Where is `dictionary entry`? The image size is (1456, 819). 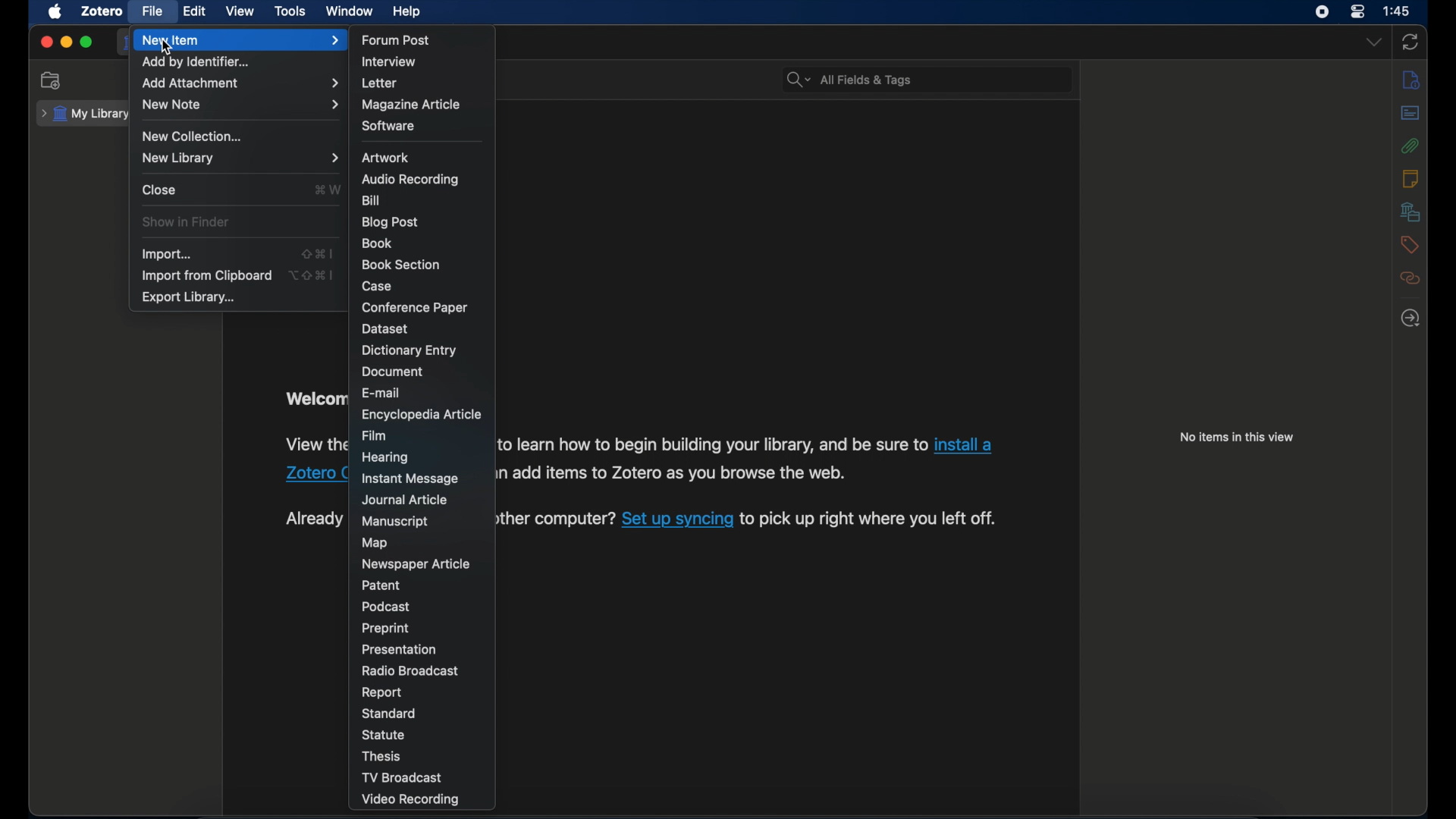 dictionary entry is located at coordinates (410, 350).